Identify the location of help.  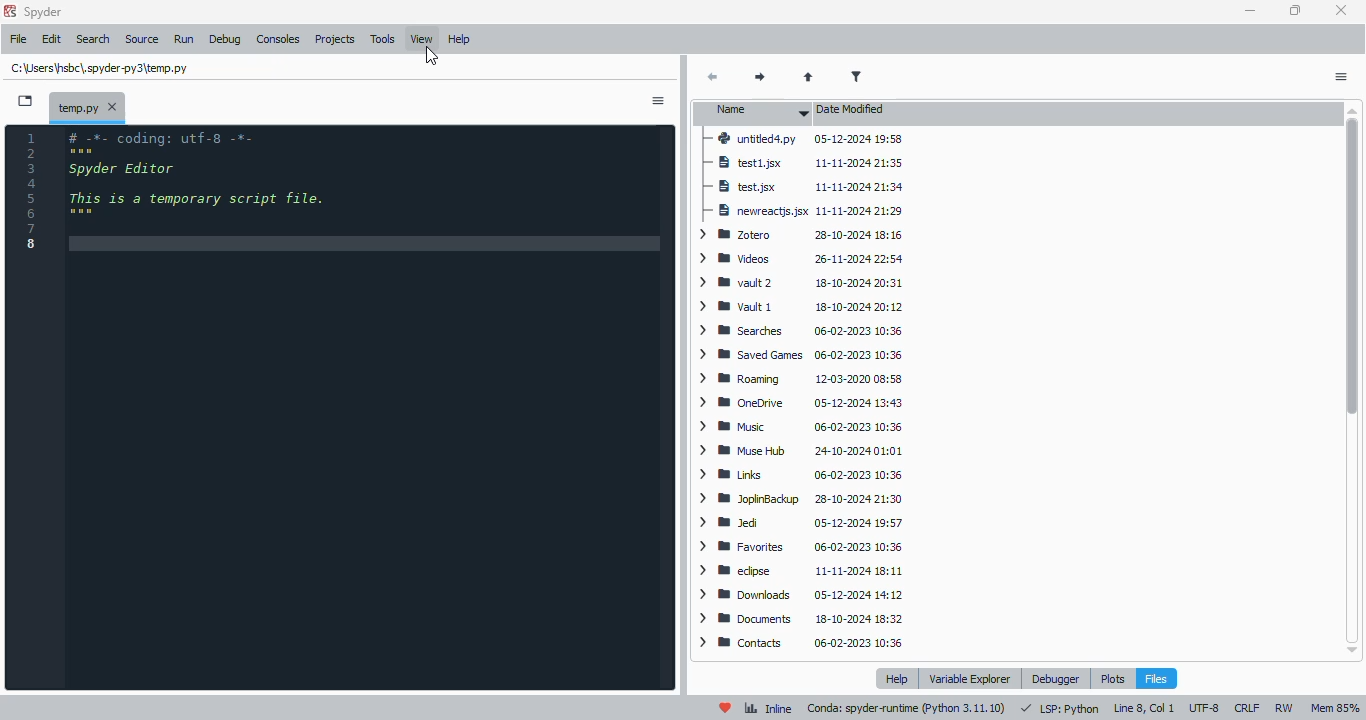
(897, 678).